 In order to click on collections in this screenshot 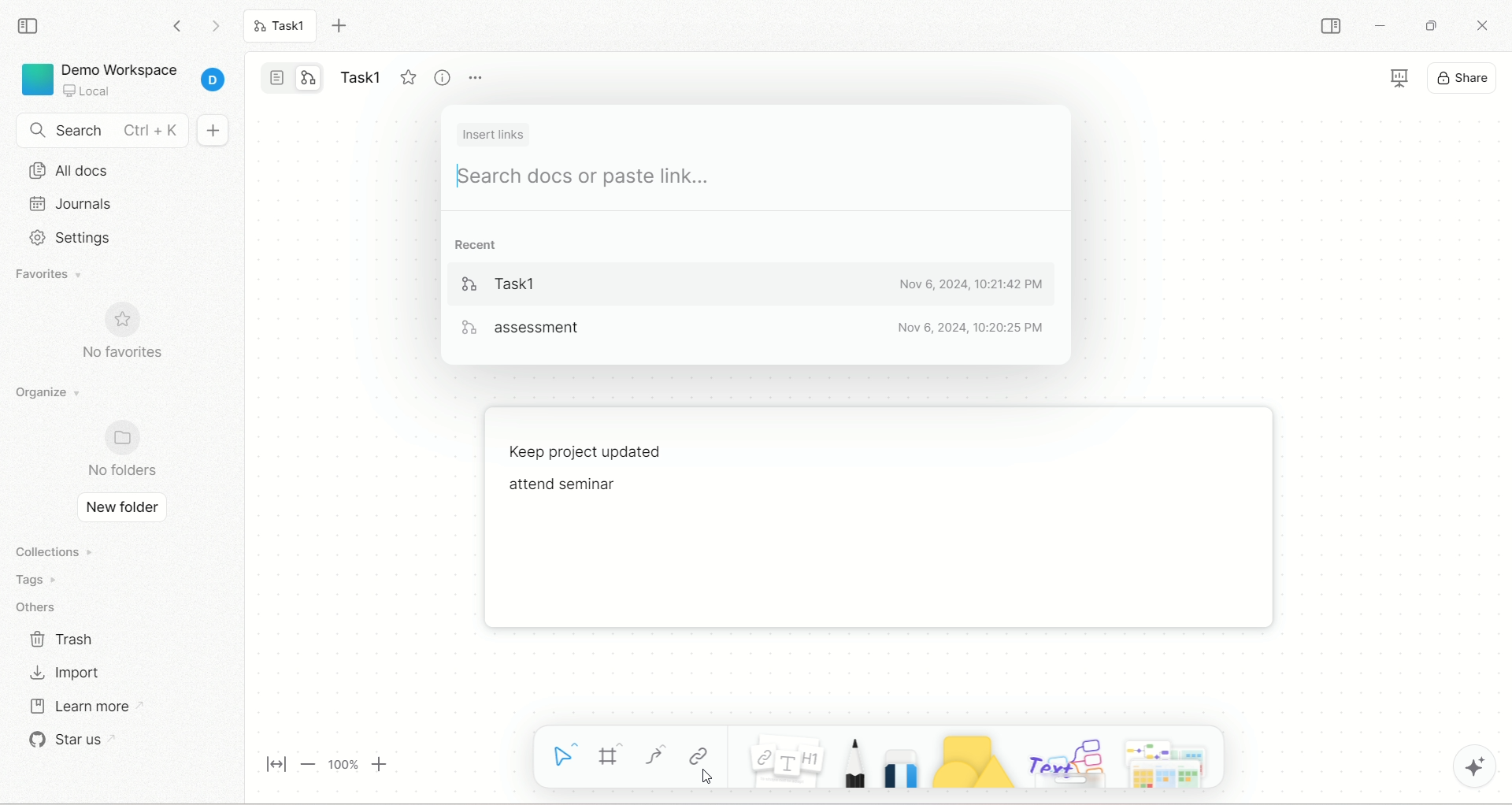, I will do `click(58, 551)`.